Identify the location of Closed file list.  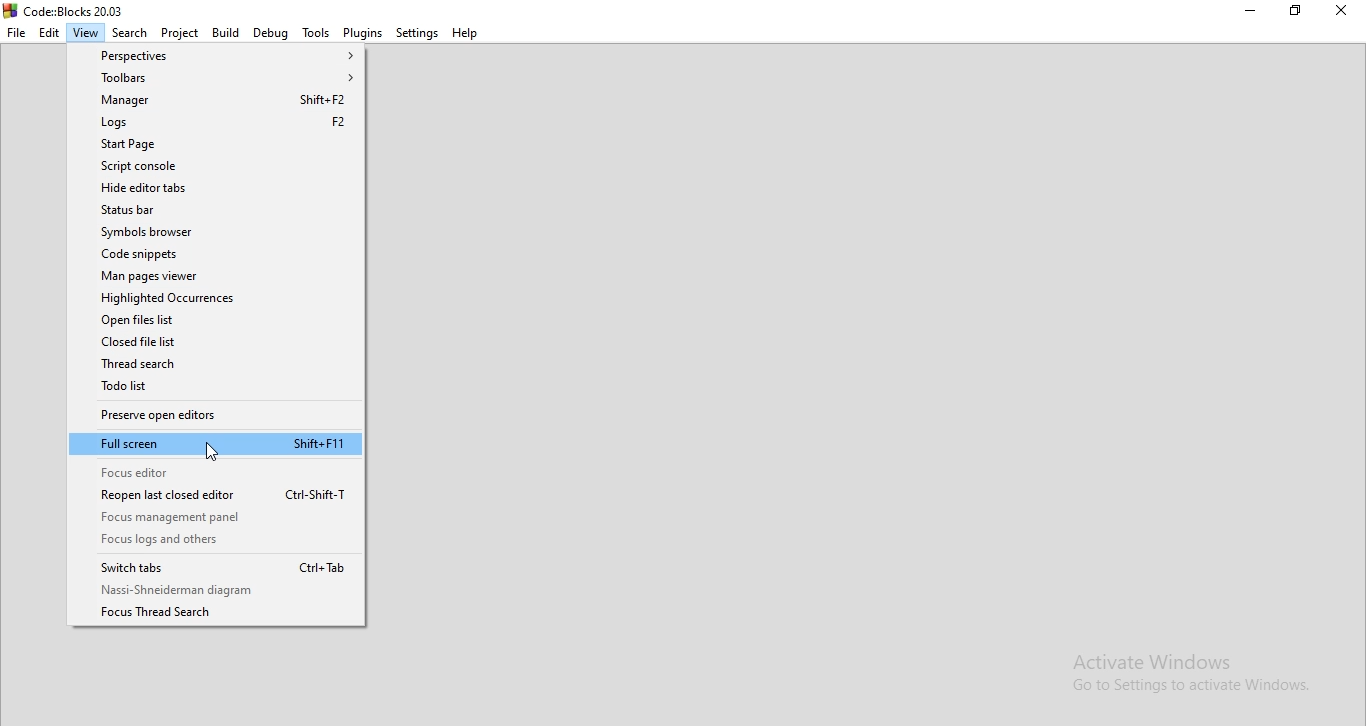
(215, 342).